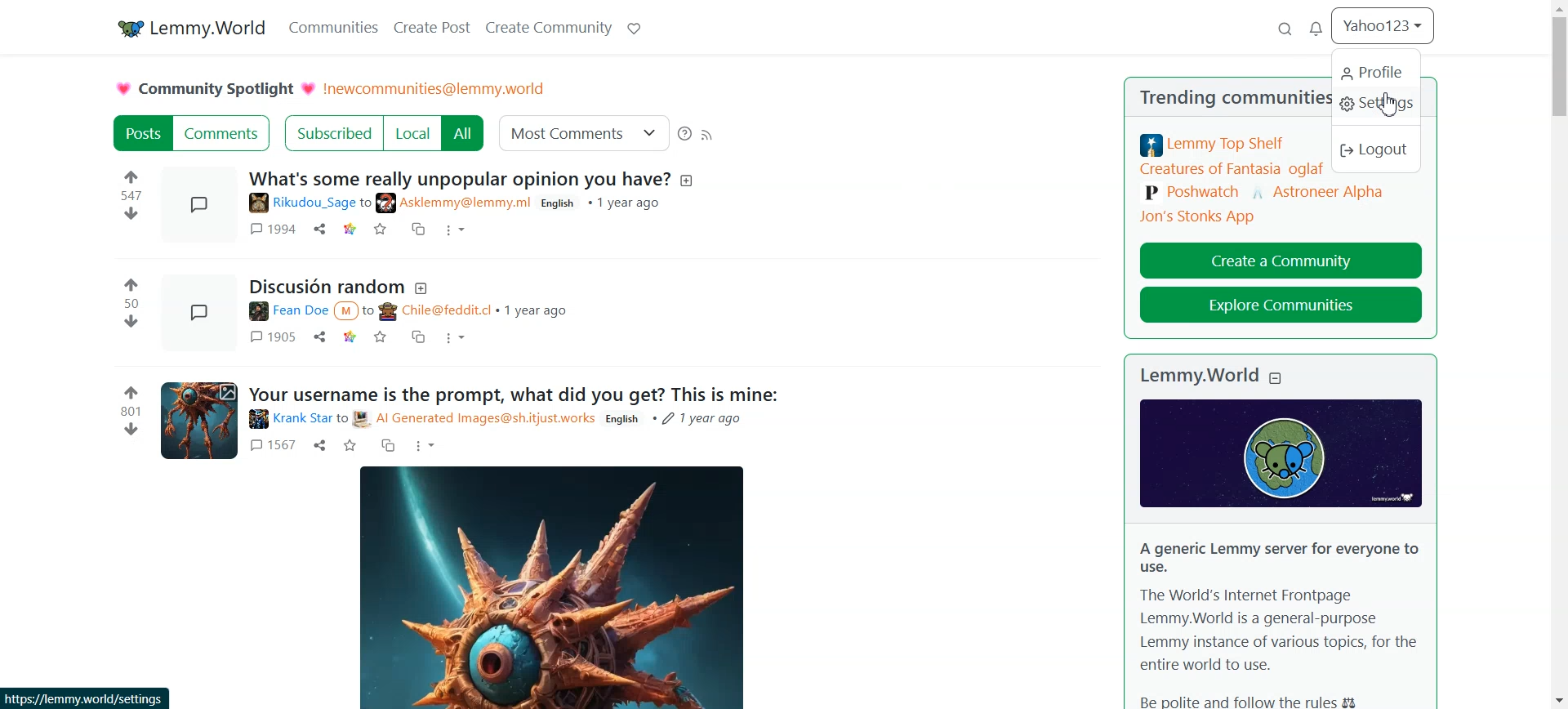 The height and width of the screenshot is (709, 1568). I want to click on thumbnail, so click(196, 313).